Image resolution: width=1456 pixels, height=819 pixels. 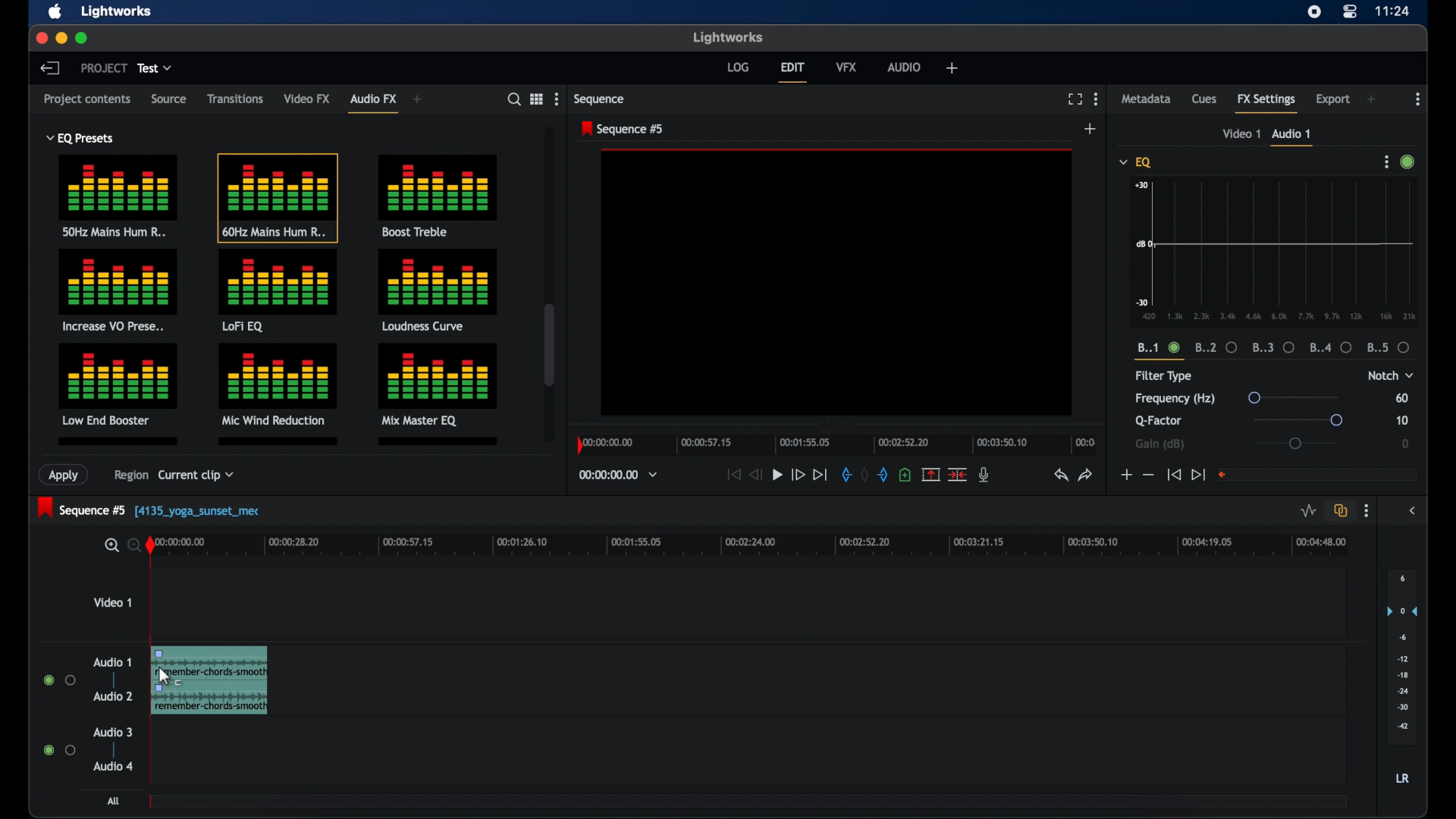 What do you see at coordinates (1403, 420) in the screenshot?
I see `10` at bounding box center [1403, 420].